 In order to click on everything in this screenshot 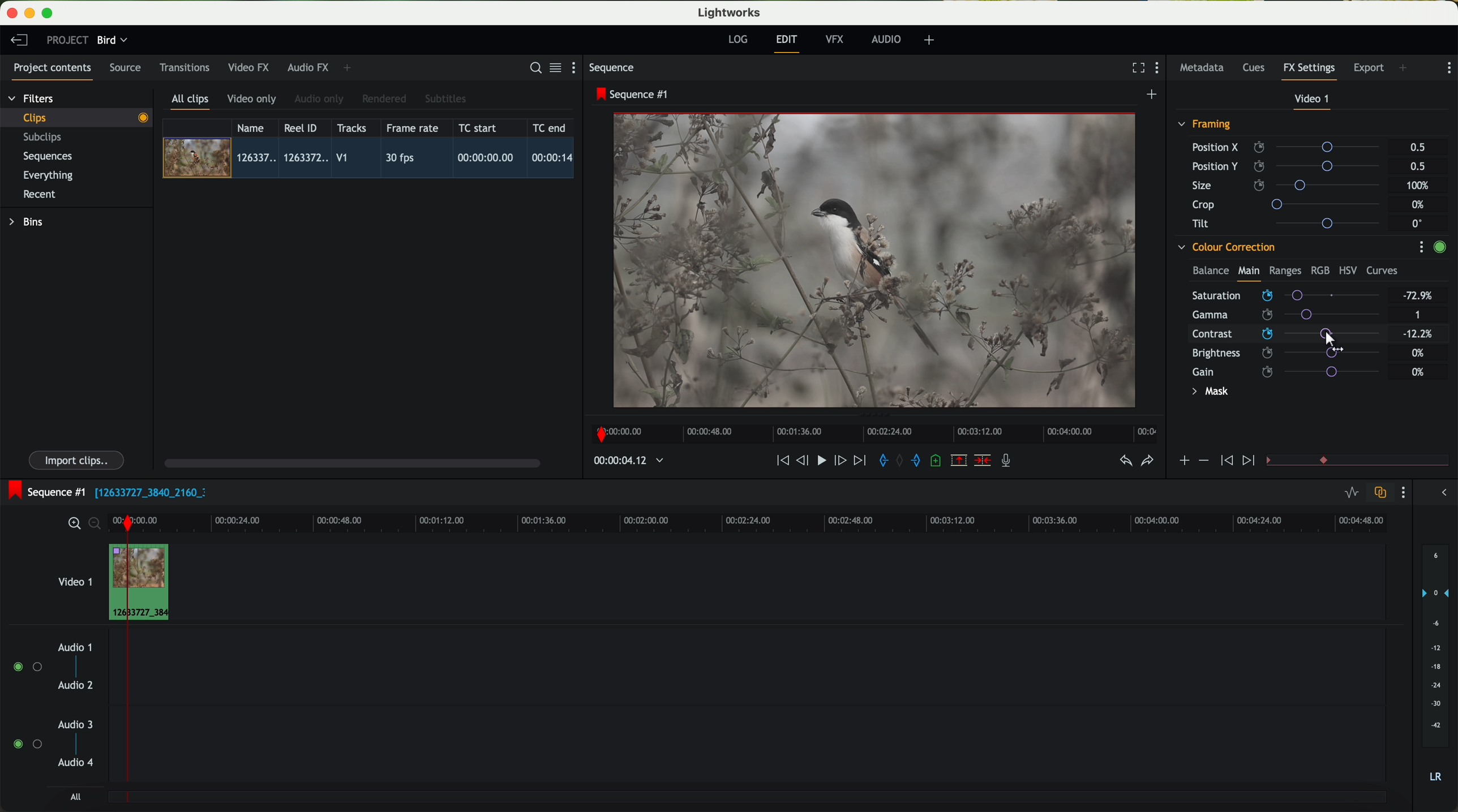, I will do `click(49, 175)`.